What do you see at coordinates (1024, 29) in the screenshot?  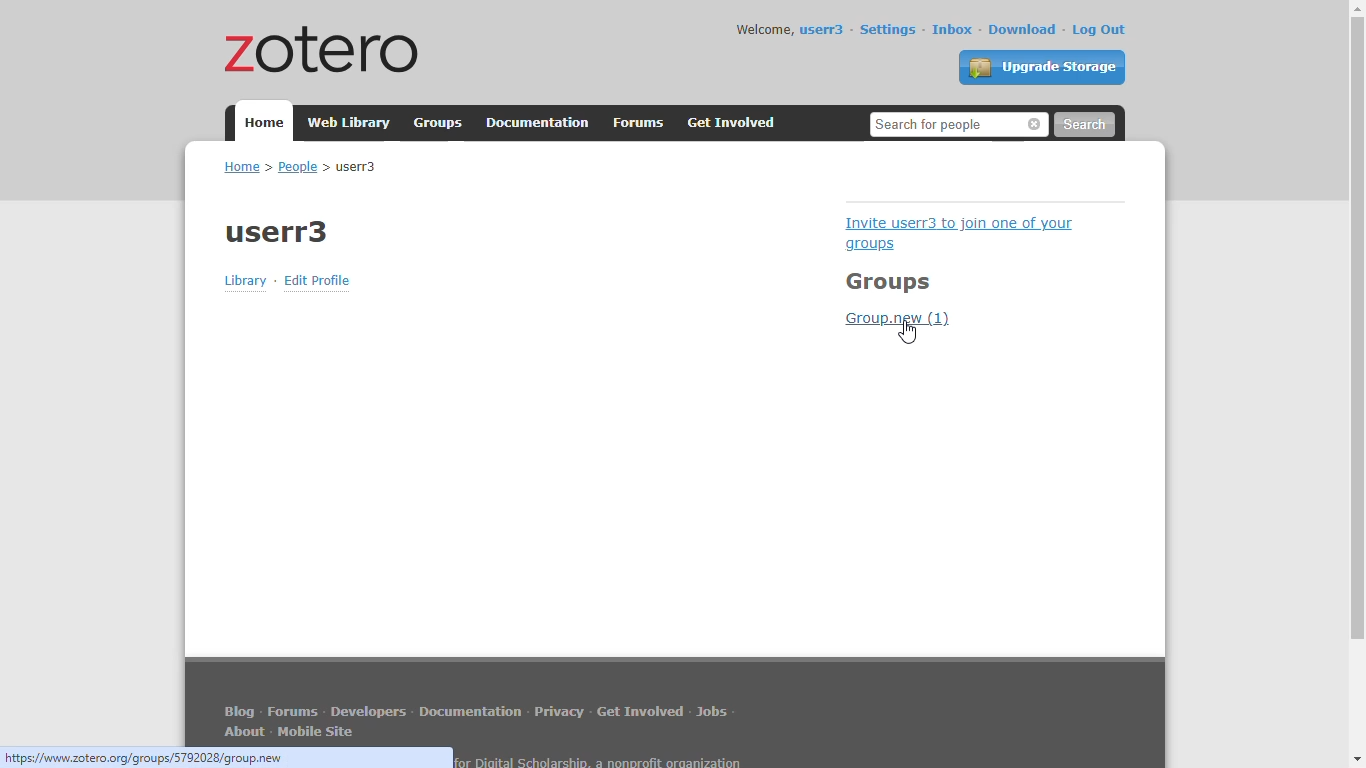 I see `download` at bounding box center [1024, 29].